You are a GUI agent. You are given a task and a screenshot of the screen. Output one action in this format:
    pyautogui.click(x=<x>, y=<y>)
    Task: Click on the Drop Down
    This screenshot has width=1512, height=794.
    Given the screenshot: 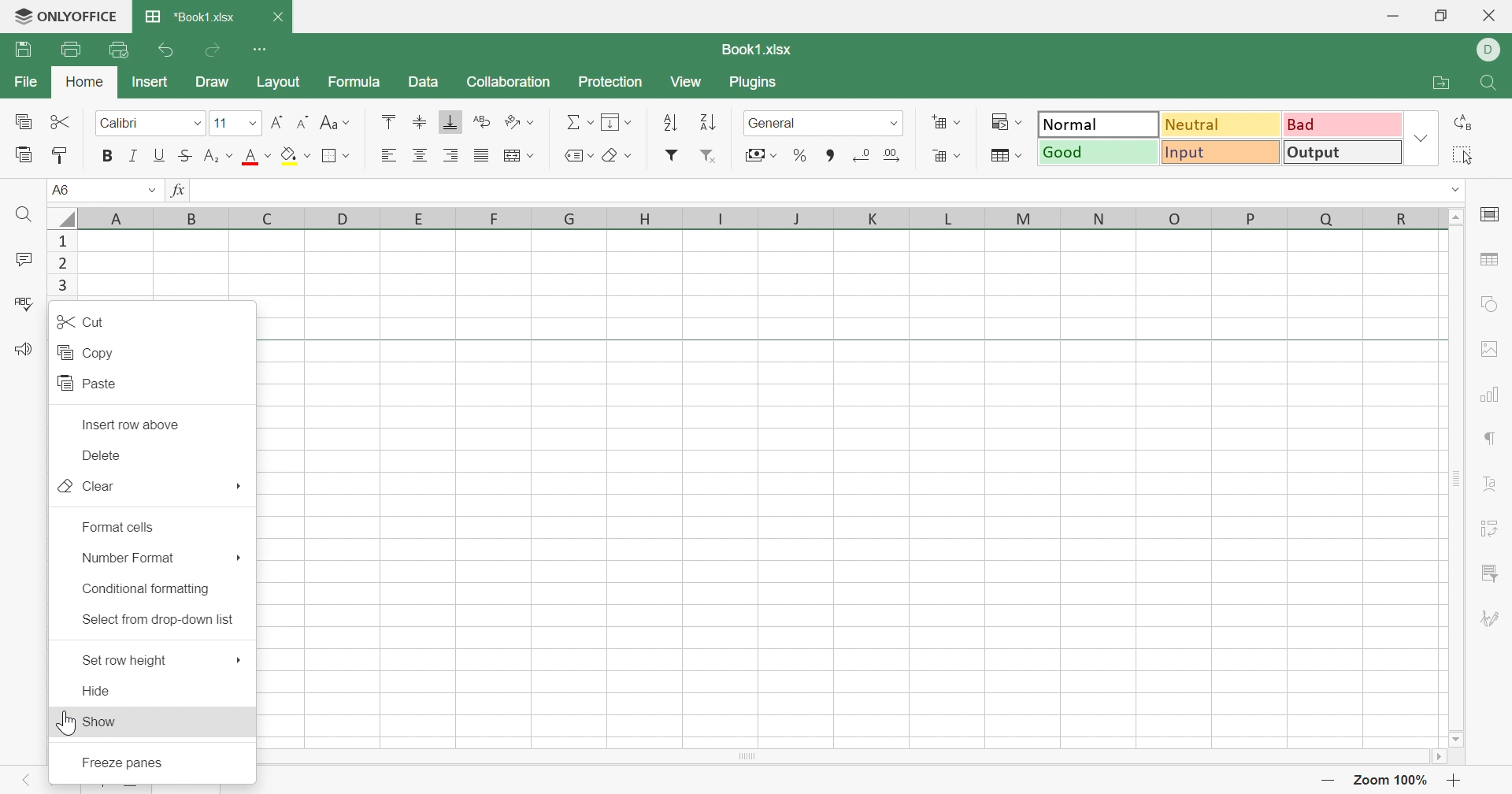 What is the action you would take?
    pyautogui.click(x=252, y=125)
    